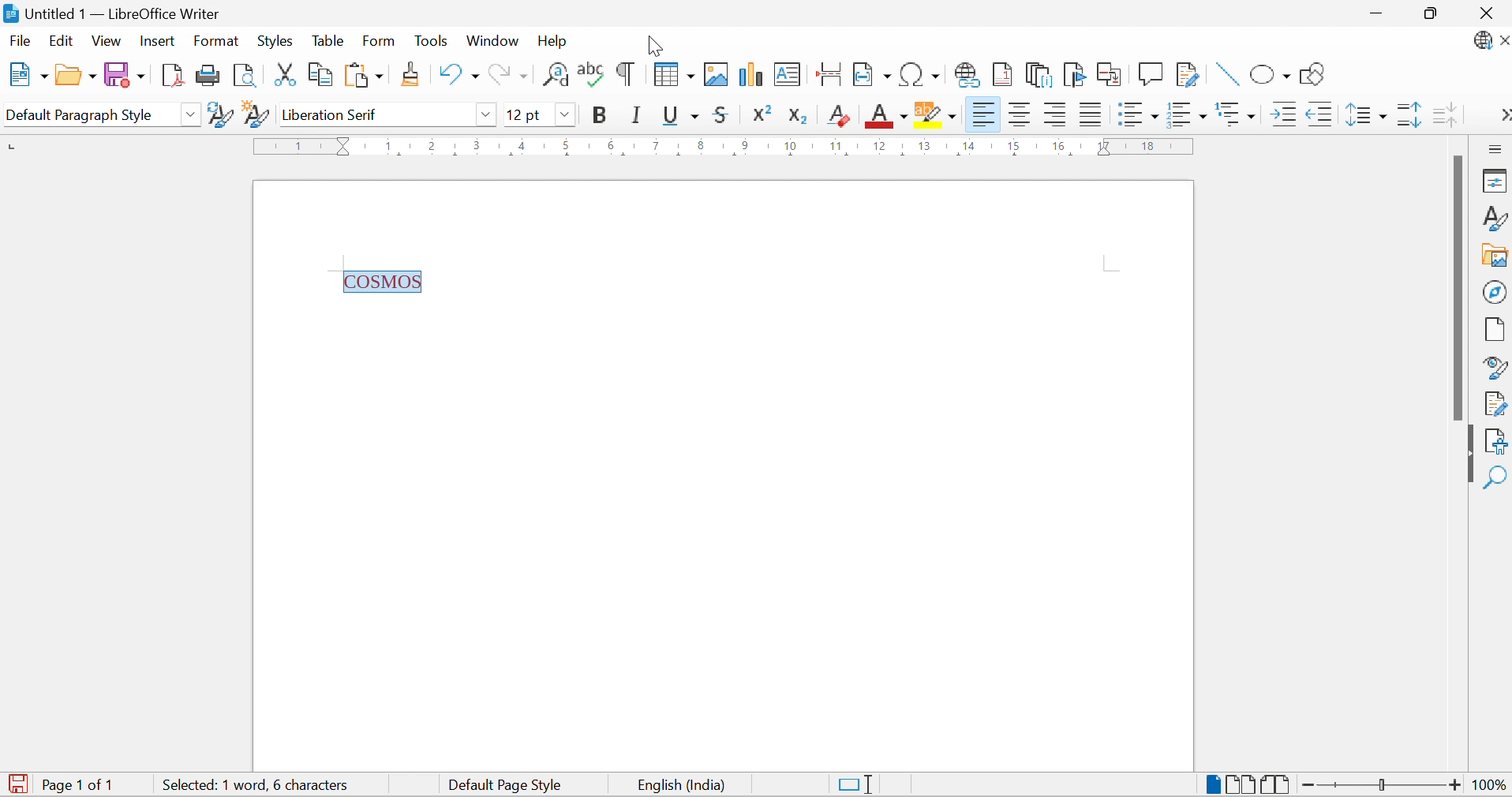 This screenshot has width=1512, height=797. What do you see at coordinates (525, 114) in the screenshot?
I see `12pt` at bounding box center [525, 114].